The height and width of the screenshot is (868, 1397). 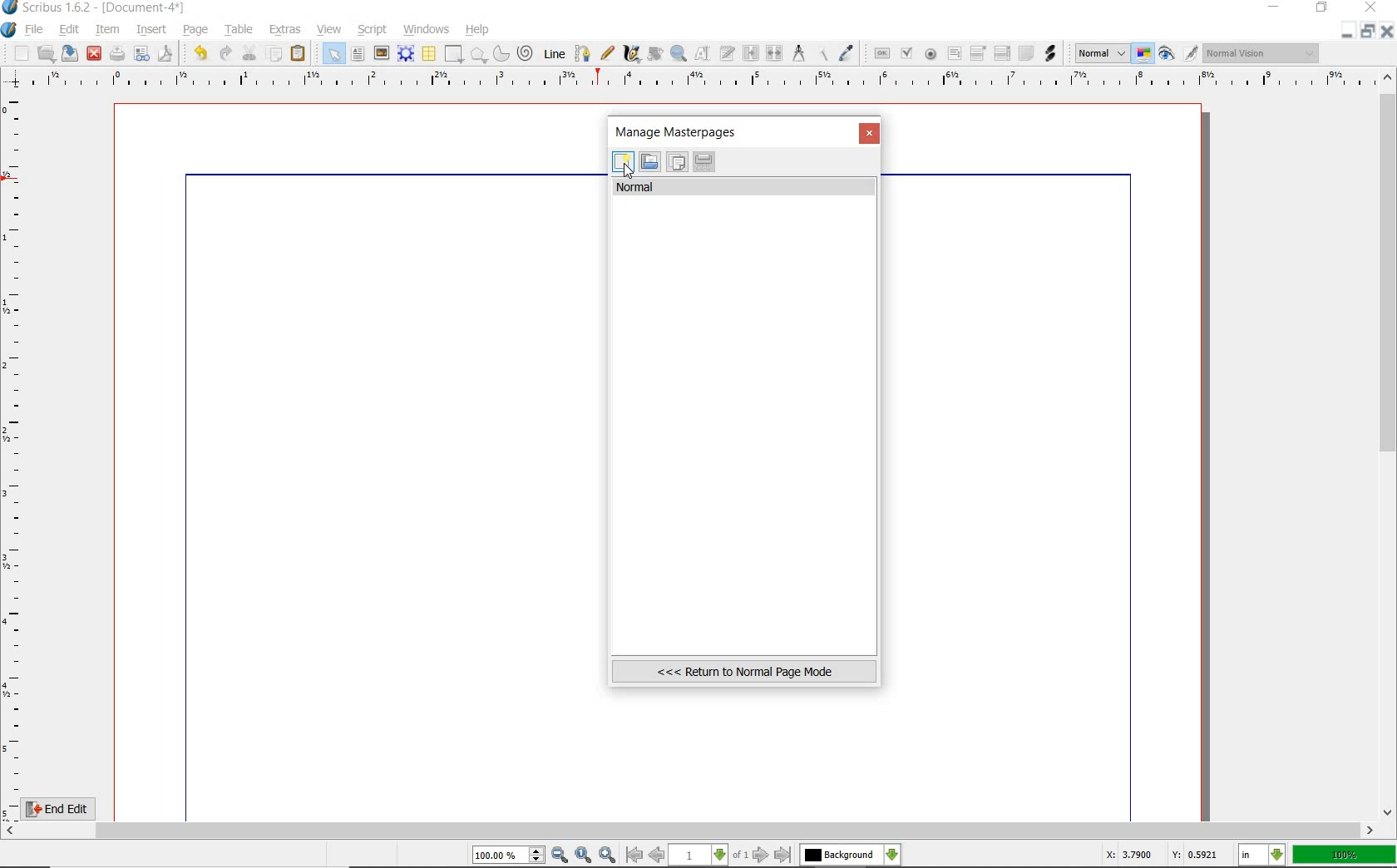 I want to click on render frame, so click(x=406, y=53).